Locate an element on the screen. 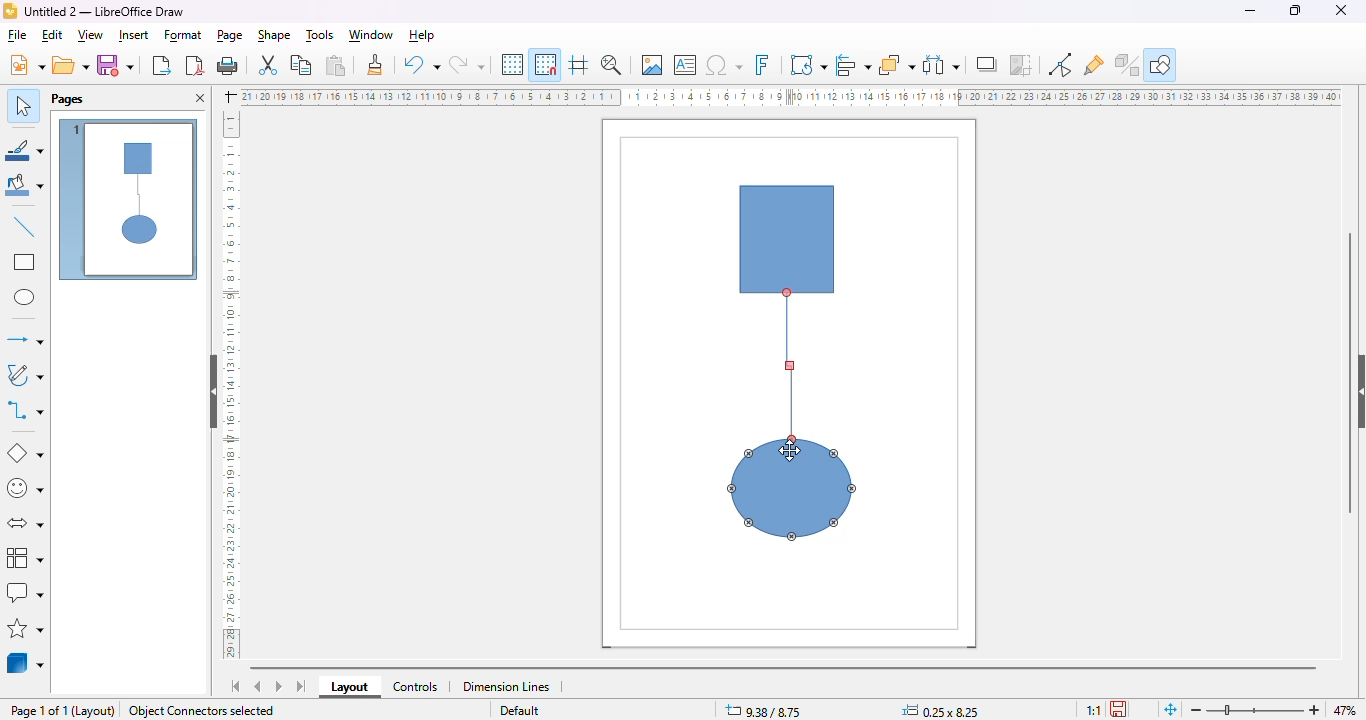 The image size is (1366, 720). cursor dragged to is located at coordinates (791, 374).